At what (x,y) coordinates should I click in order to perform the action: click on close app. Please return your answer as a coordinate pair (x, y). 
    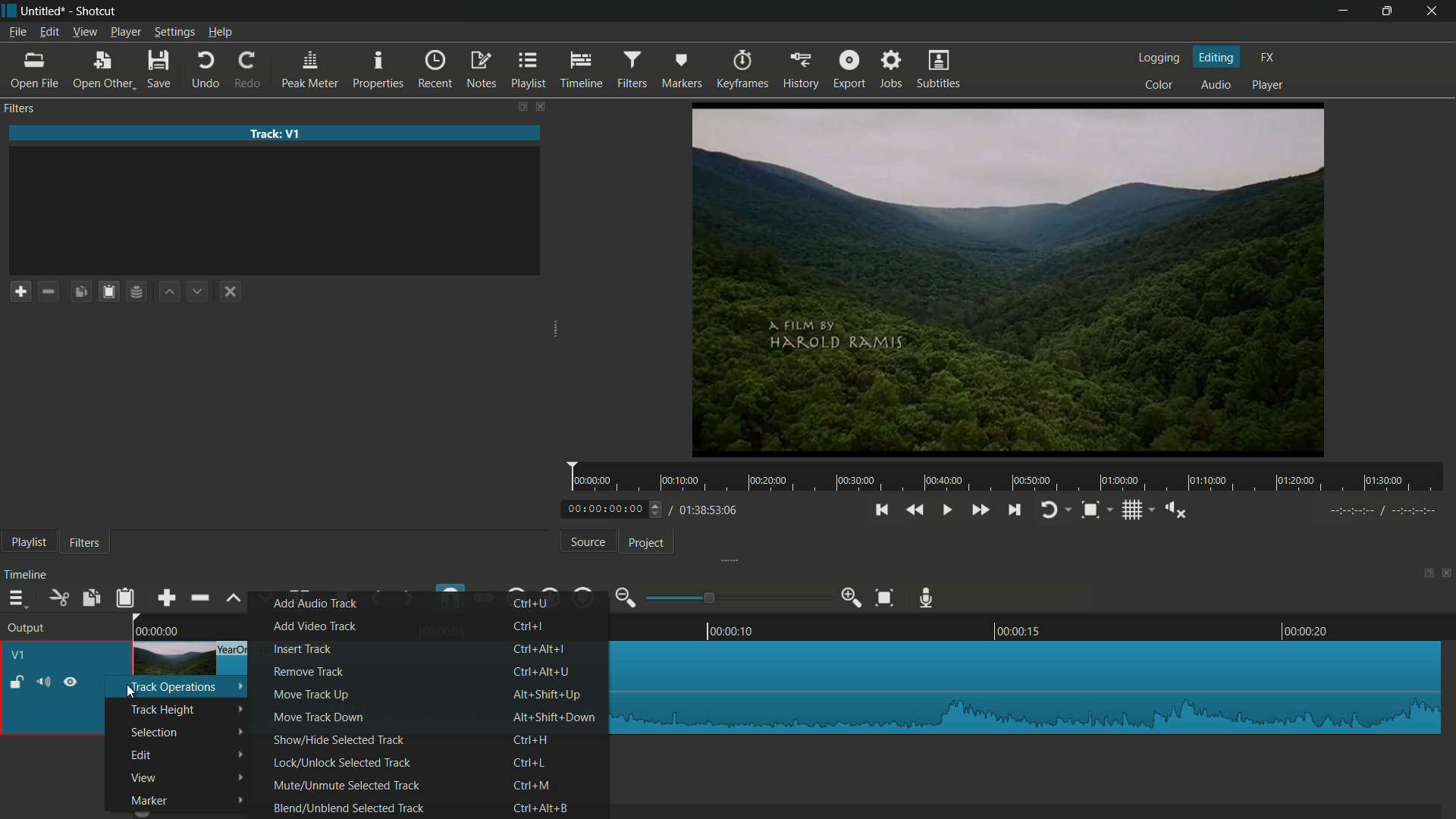
    Looking at the image, I should click on (1434, 11).